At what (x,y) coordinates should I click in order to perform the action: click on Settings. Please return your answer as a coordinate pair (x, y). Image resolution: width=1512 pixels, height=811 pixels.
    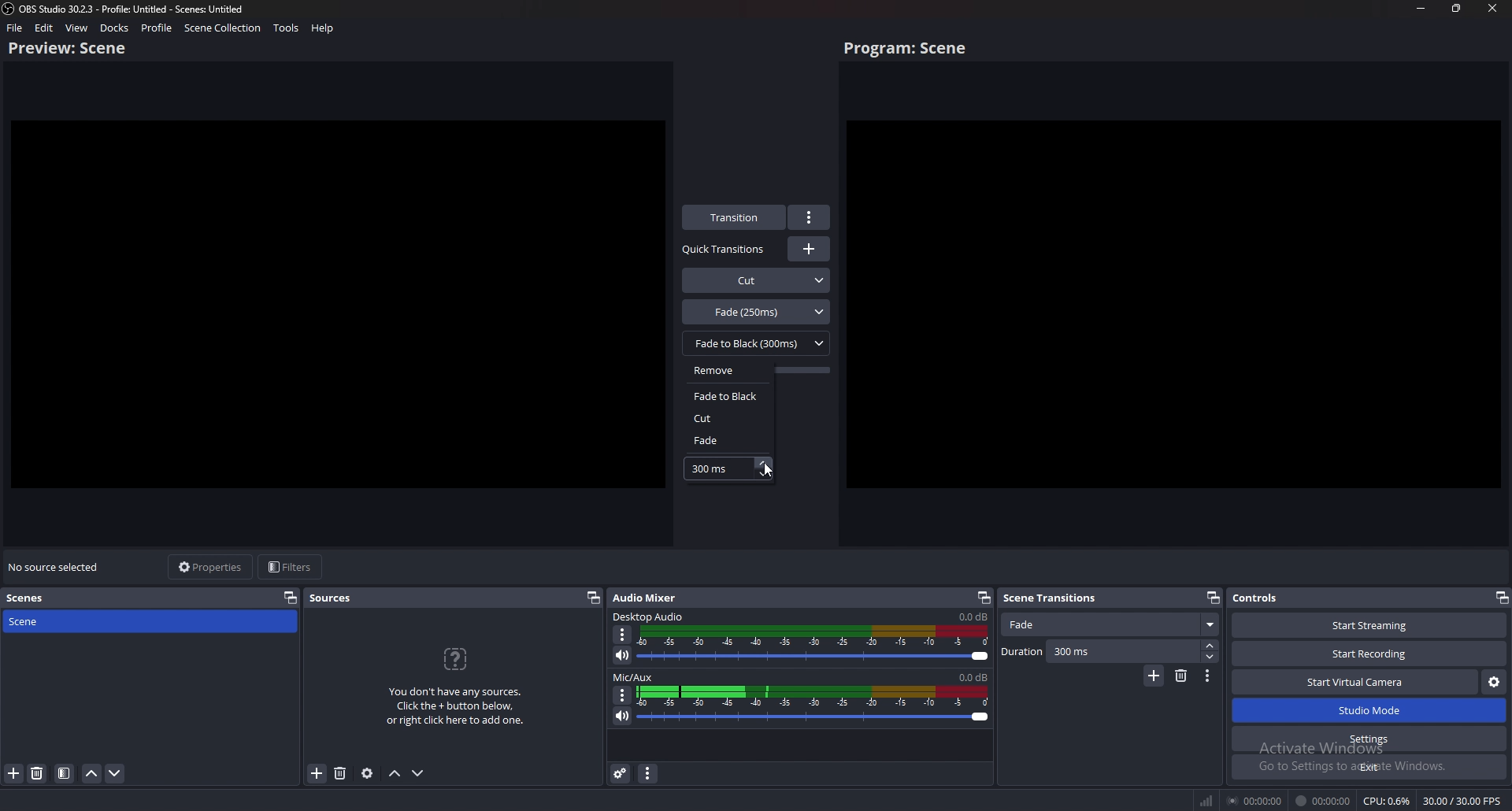
    Looking at the image, I should click on (1370, 739).